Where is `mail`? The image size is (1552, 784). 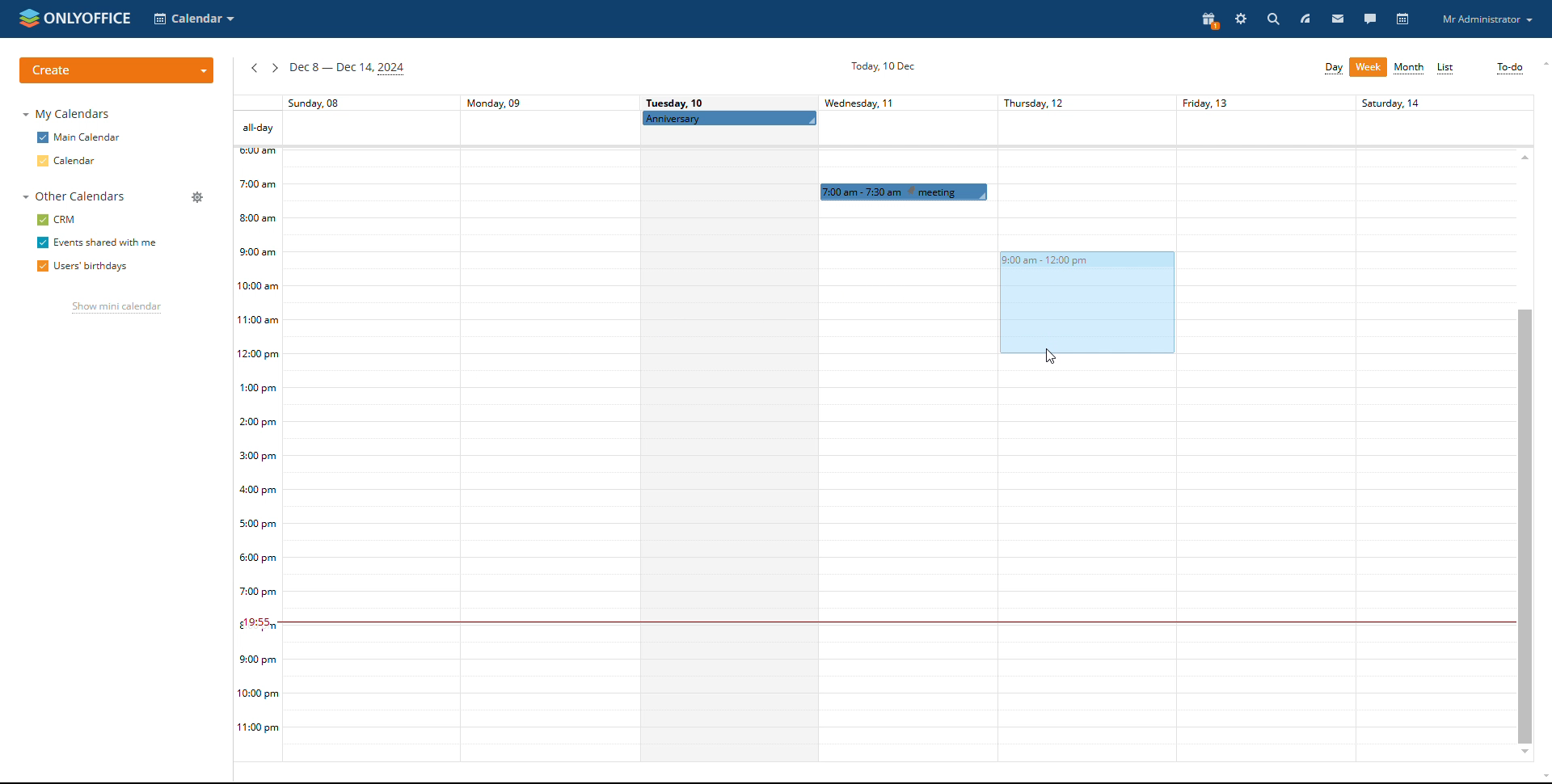
mail is located at coordinates (1338, 18).